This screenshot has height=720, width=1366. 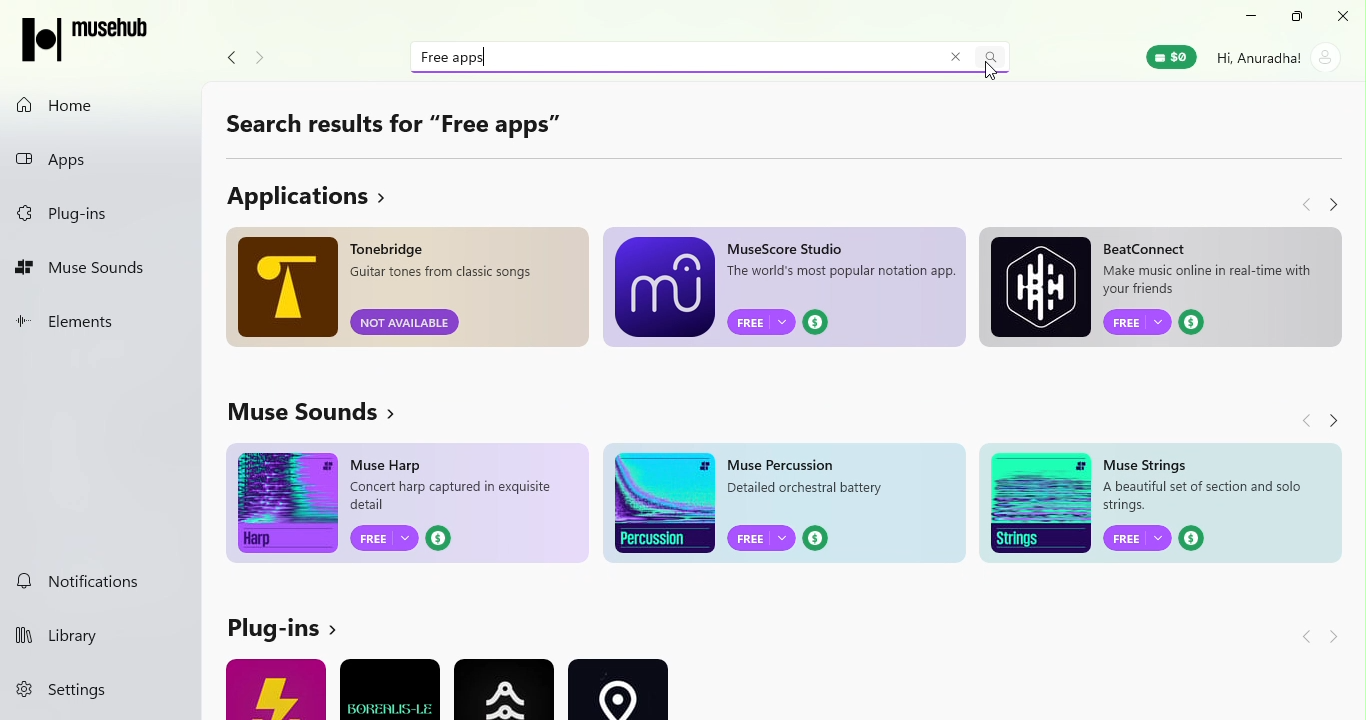 I want to click on Minimize, so click(x=1252, y=16).